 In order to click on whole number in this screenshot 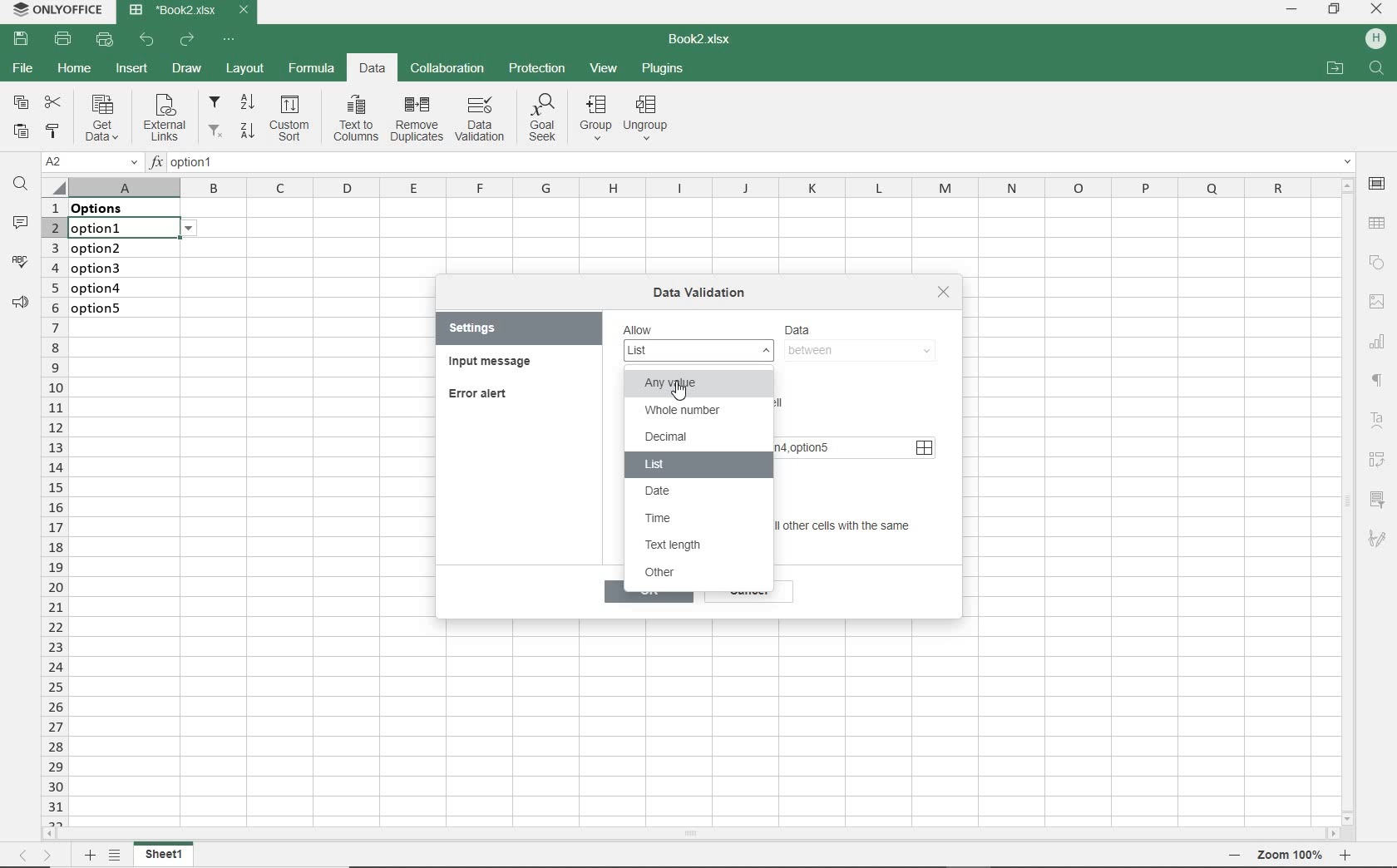, I will do `click(689, 411)`.